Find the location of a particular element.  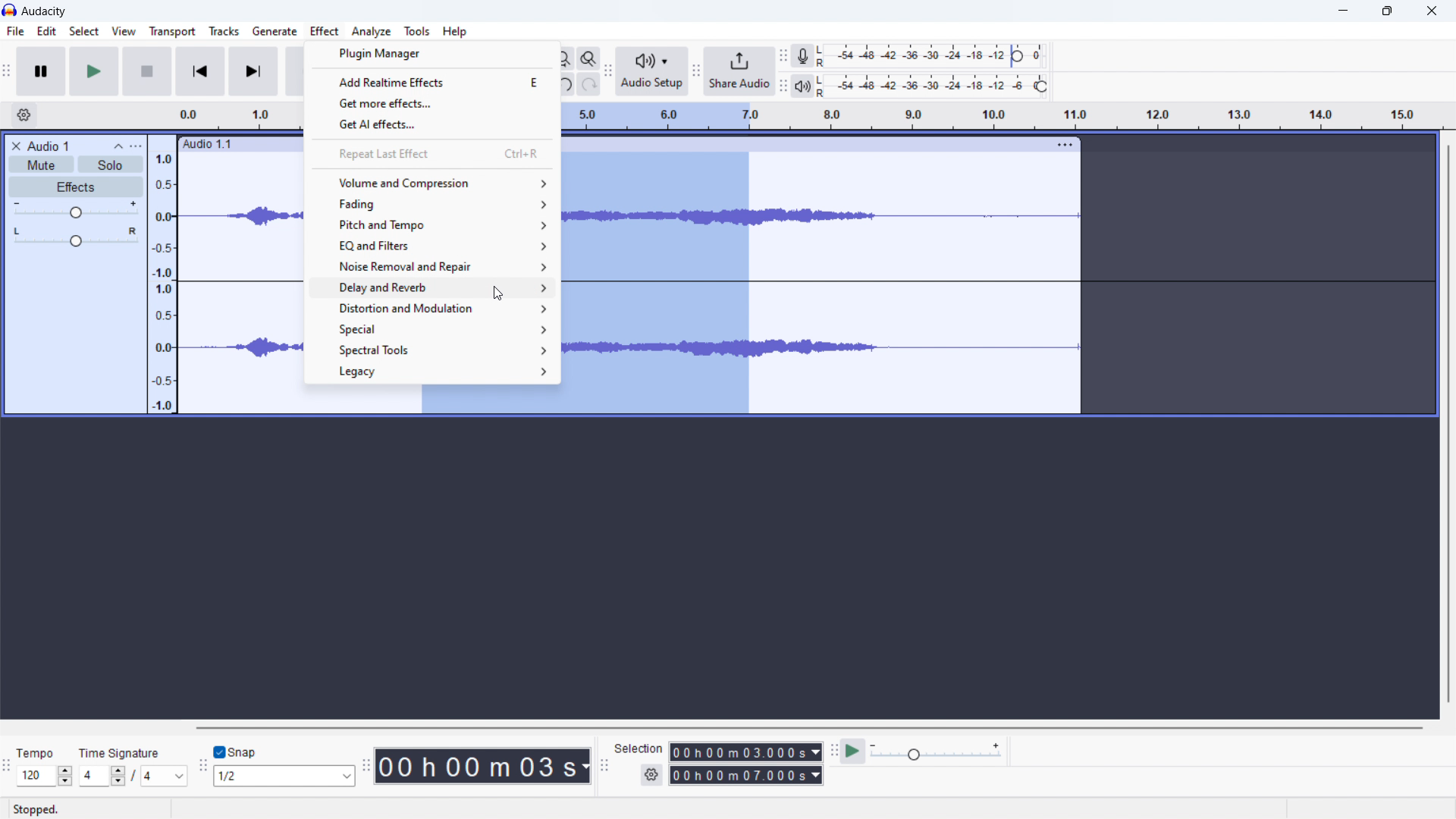

4 is located at coordinates (100, 777).